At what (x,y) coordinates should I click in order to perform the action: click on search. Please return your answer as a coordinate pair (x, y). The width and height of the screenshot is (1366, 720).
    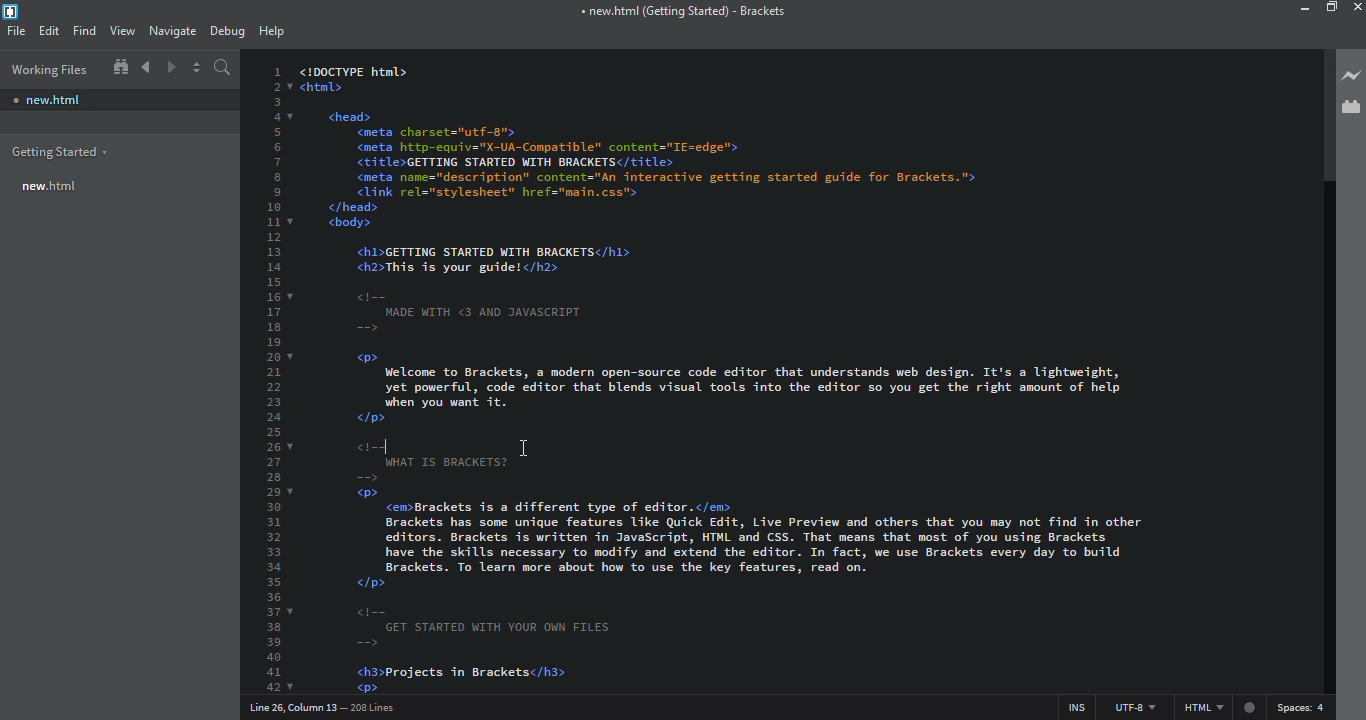
    Looking at the image, I should click on (225, 70).